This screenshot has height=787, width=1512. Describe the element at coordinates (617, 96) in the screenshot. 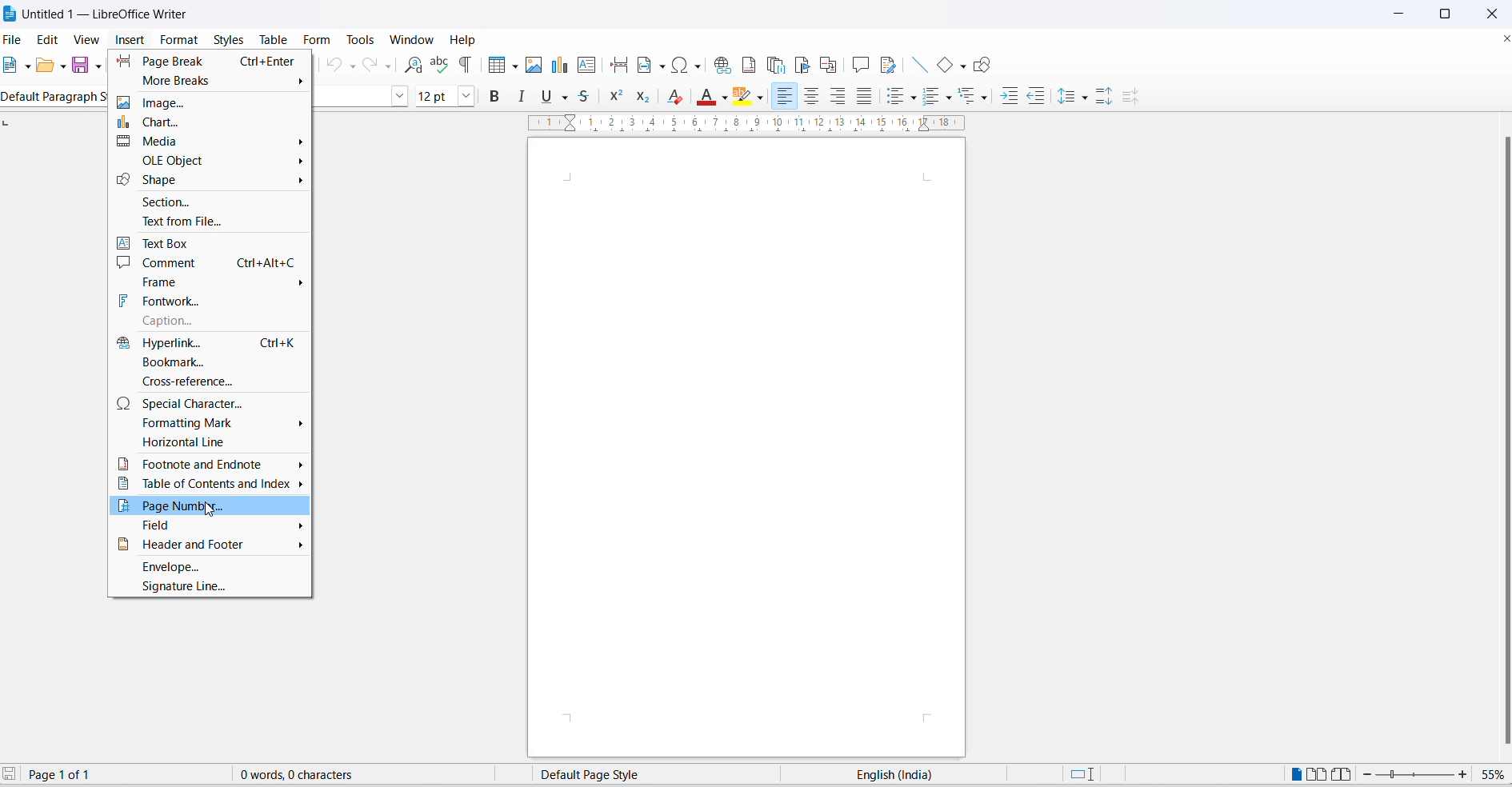

I see `superscript` at that location.